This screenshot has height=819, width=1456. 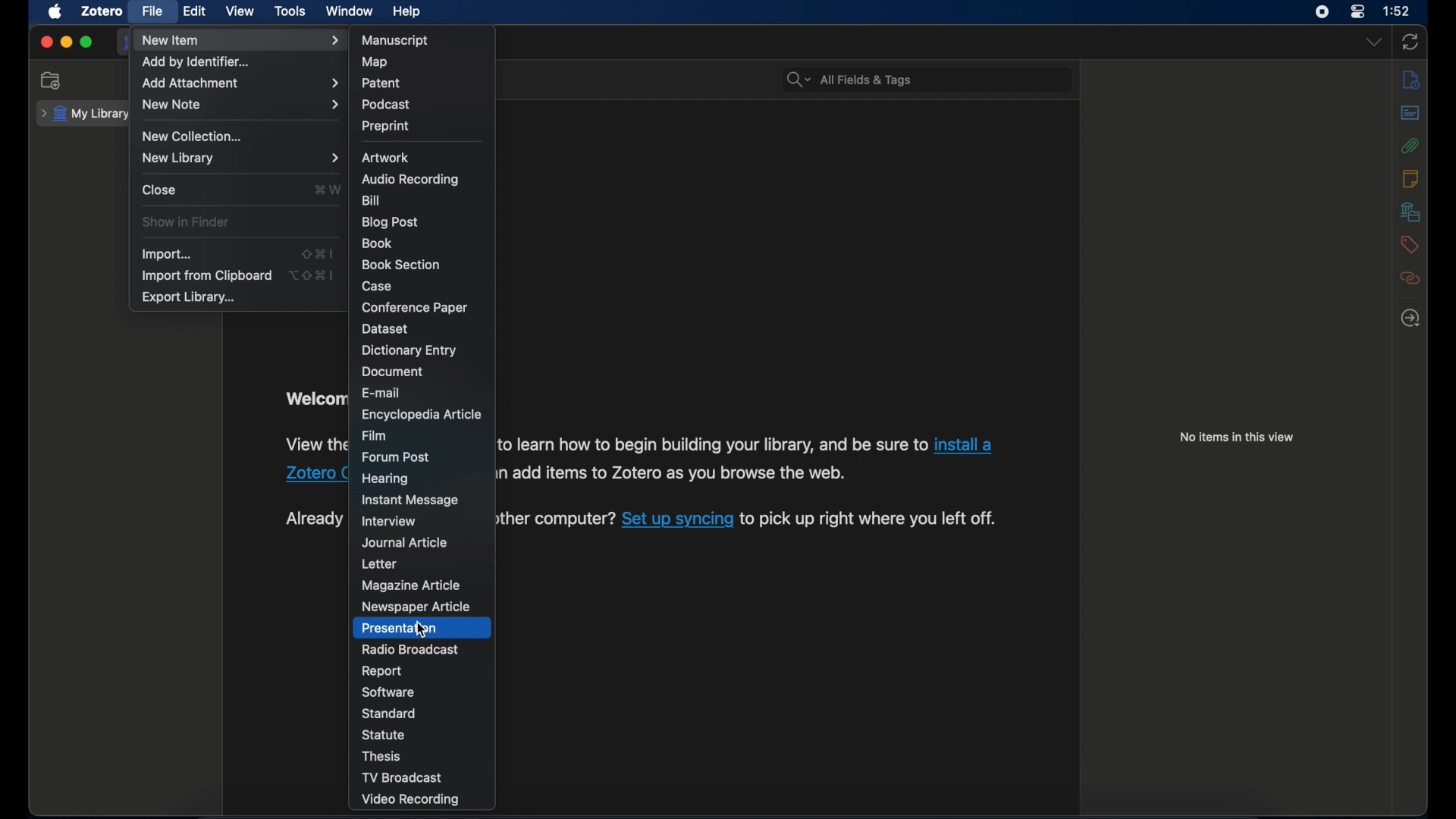 What do you see at coordinates (385, 105) in the screenshot?
I see `podcast` at bounding box center [385, 105].